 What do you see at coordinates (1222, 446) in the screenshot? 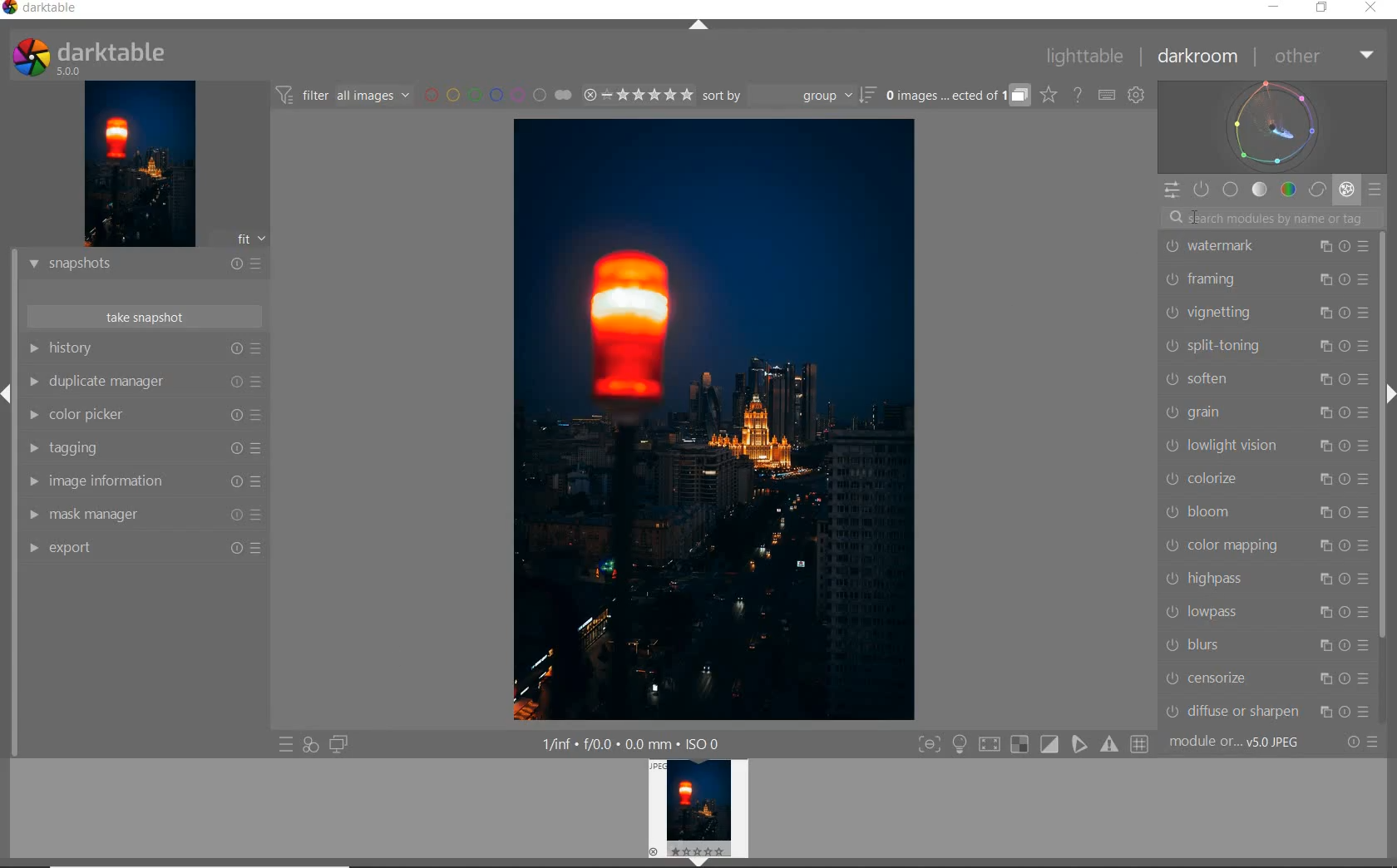
I see `LOWLIGHT VISION` at bounding box center [1222, 446].